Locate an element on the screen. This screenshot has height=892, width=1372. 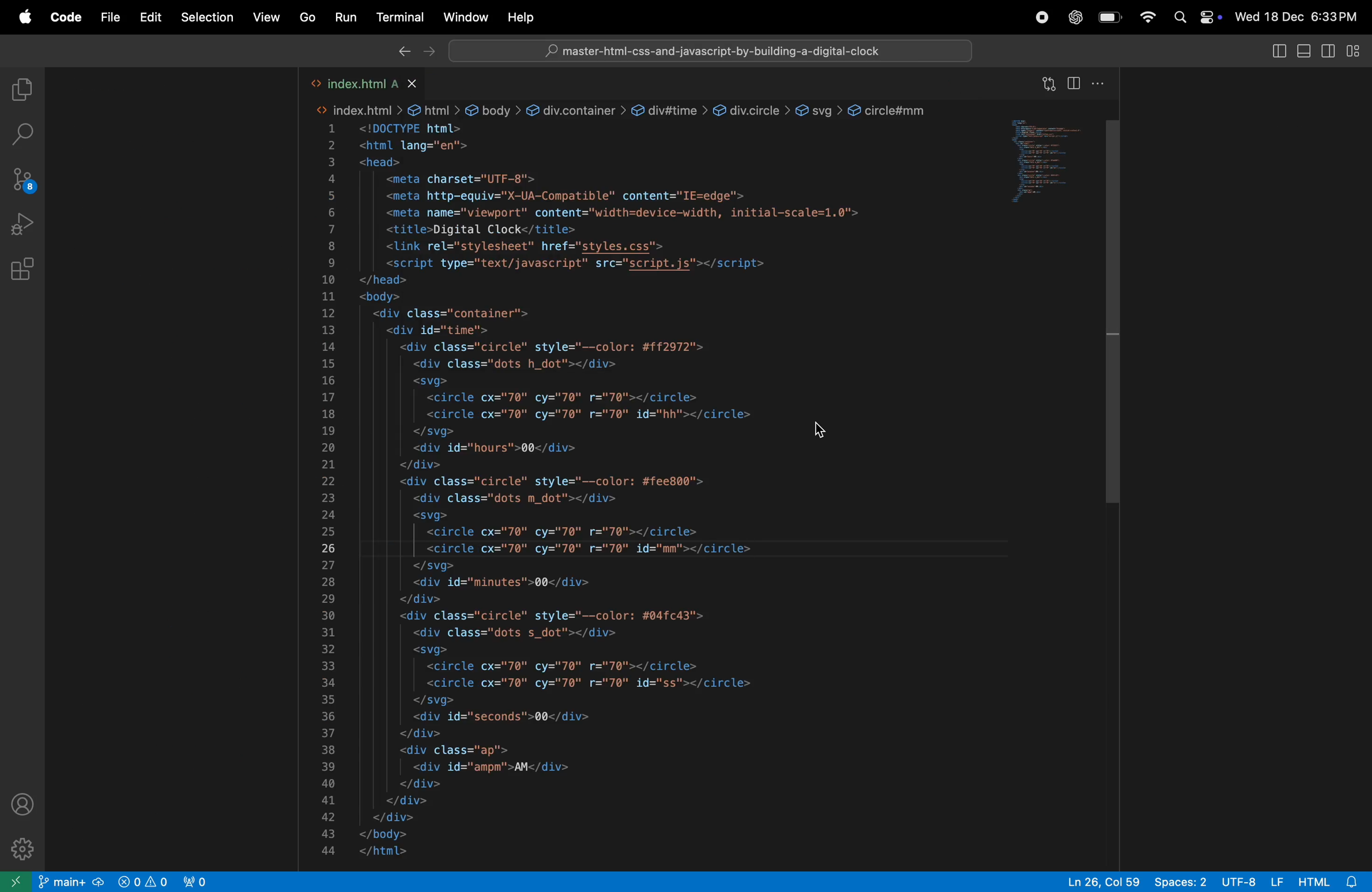
selections is located at coordinates (203, 17).